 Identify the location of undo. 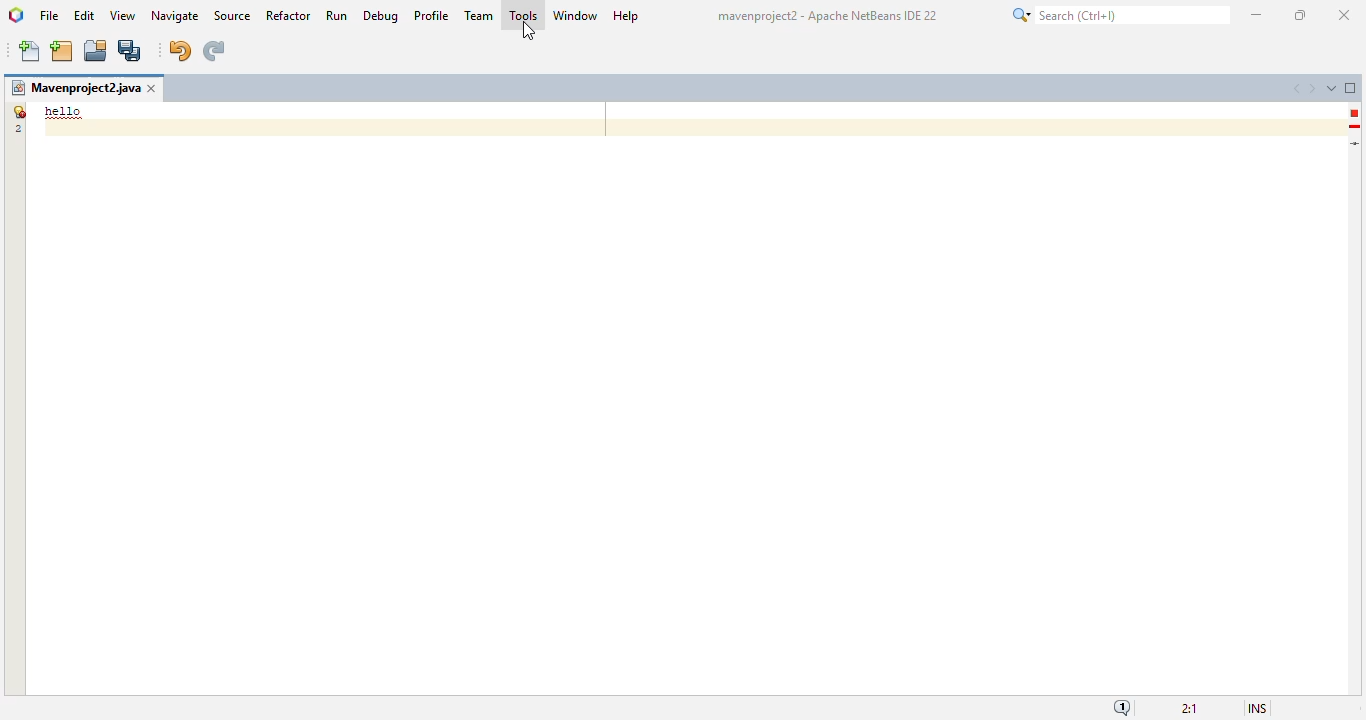
(179, 51).